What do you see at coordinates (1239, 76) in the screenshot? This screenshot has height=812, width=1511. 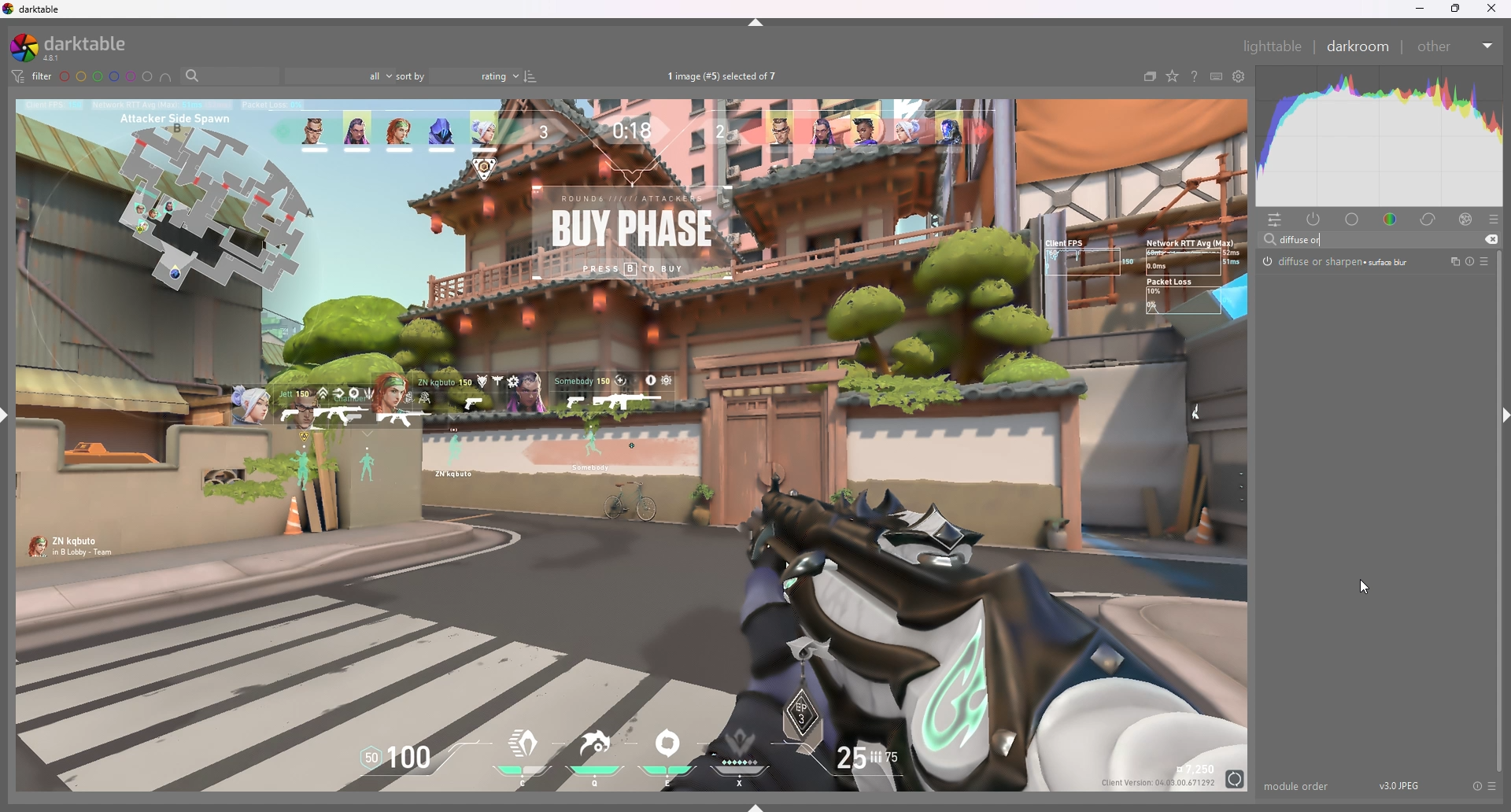 I see `show global preferences` at bounding box center [1239, 76].